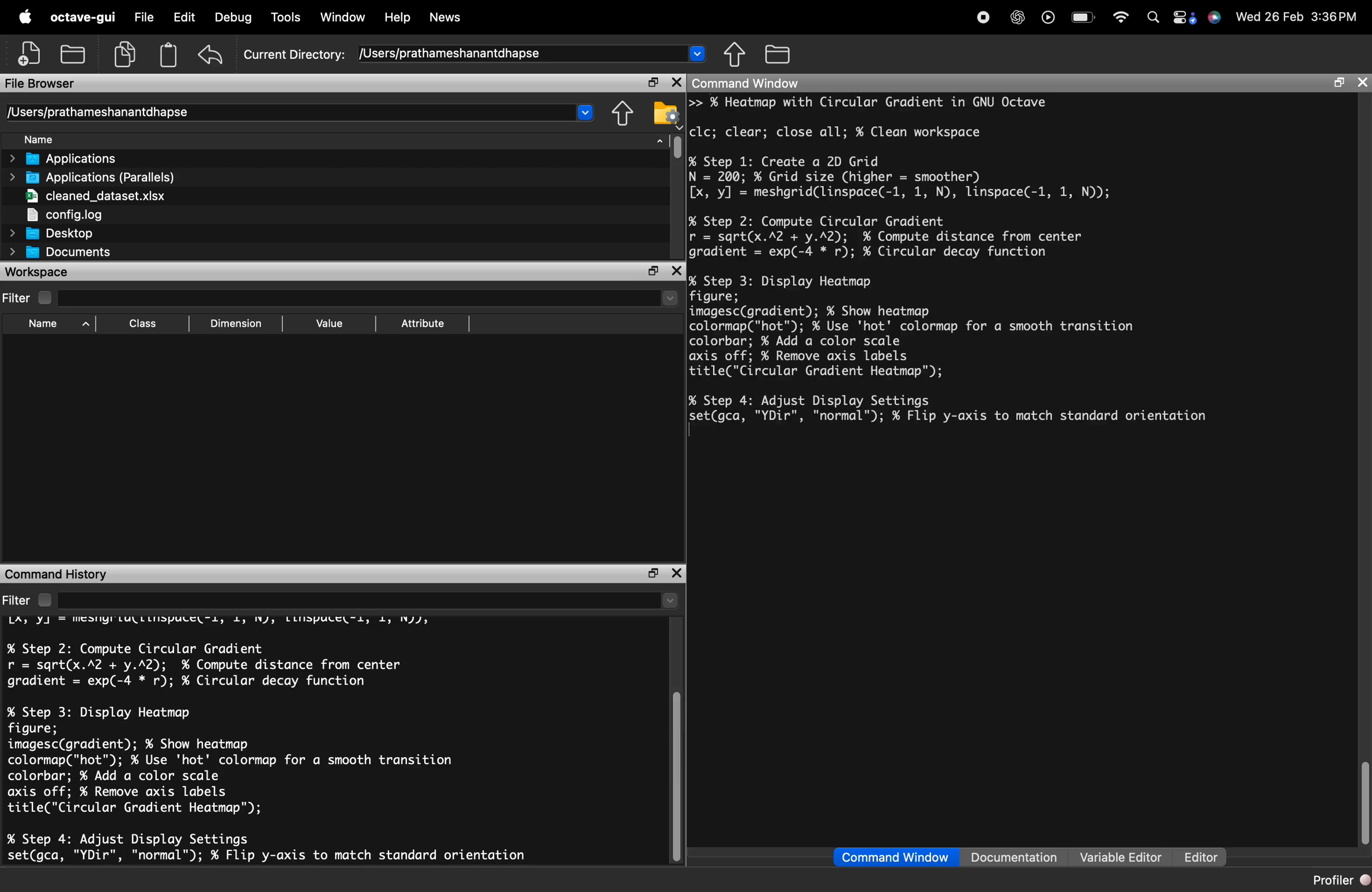 Image resolution: width=1372 pixels, height=892 pixels. What do you see at coordinates (1216, 17) in the screenshot?
I see `Siri` at bounding box center [1216, 17].